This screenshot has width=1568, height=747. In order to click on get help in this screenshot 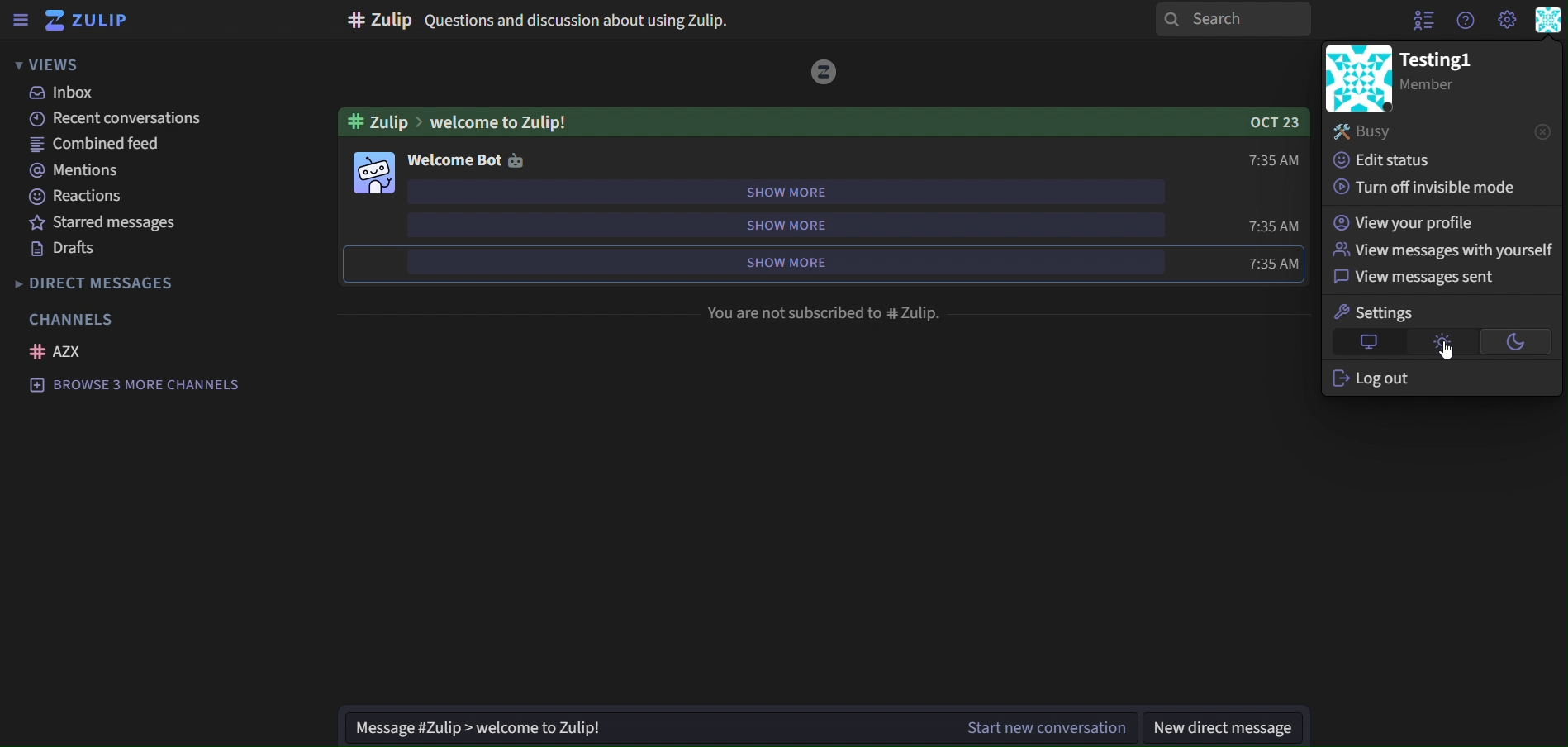, I will do `click(1464, 21)`.